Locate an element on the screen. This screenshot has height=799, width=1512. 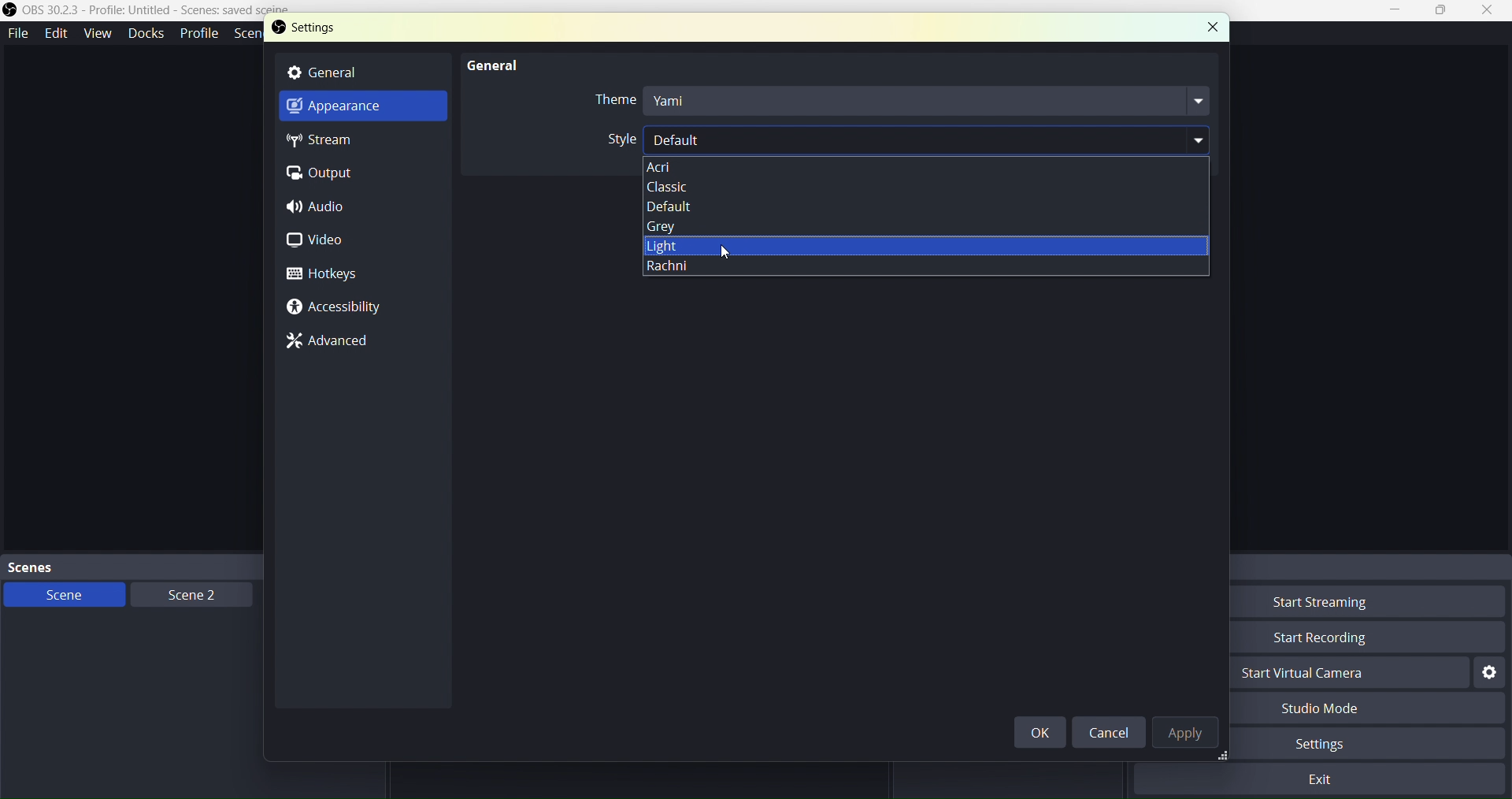
options is located at coordinates (927, 166).